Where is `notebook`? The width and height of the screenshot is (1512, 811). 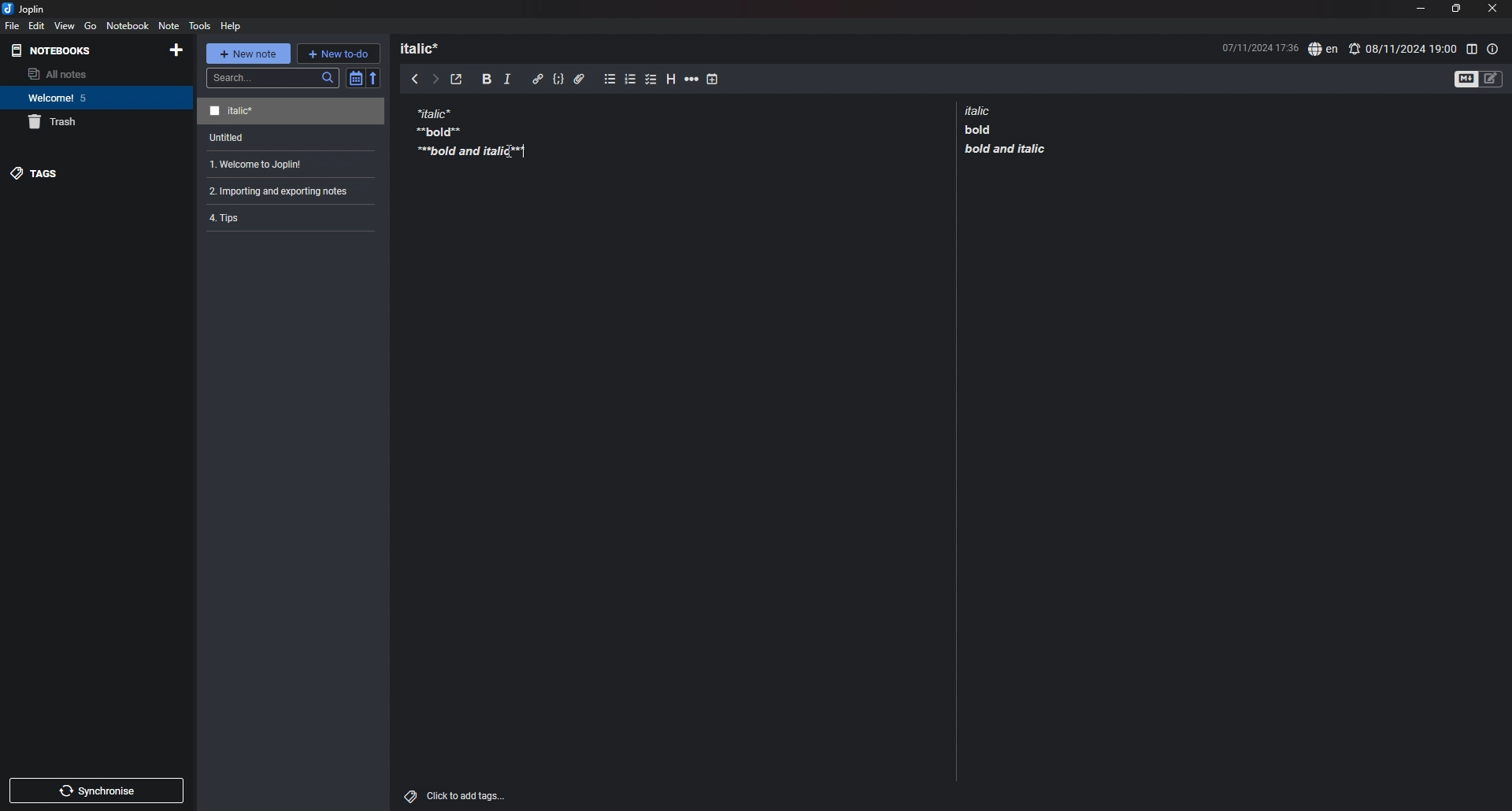 notebook is located at coordinates (94, 98).